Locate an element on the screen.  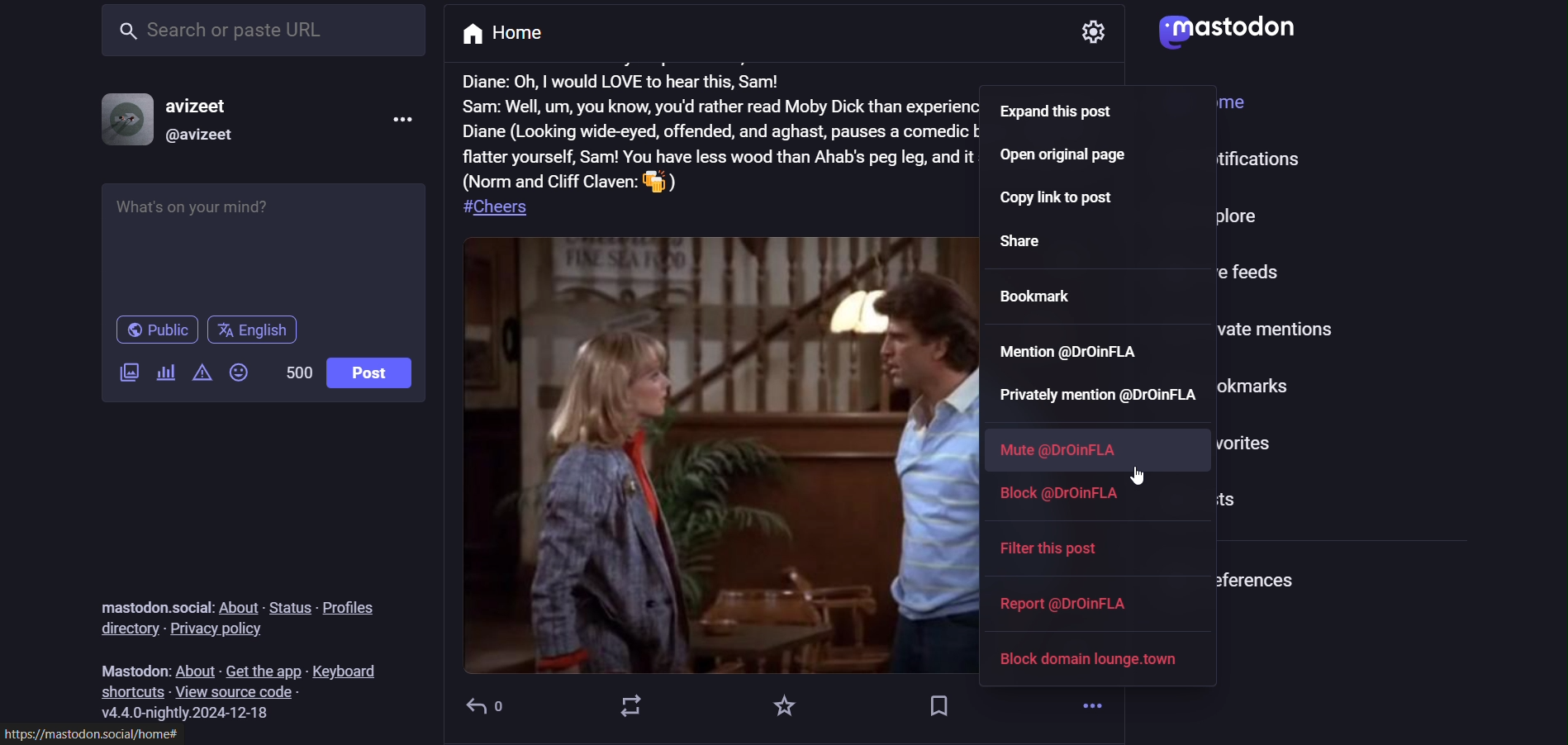
avizeet is located at coordinates (200, 108).